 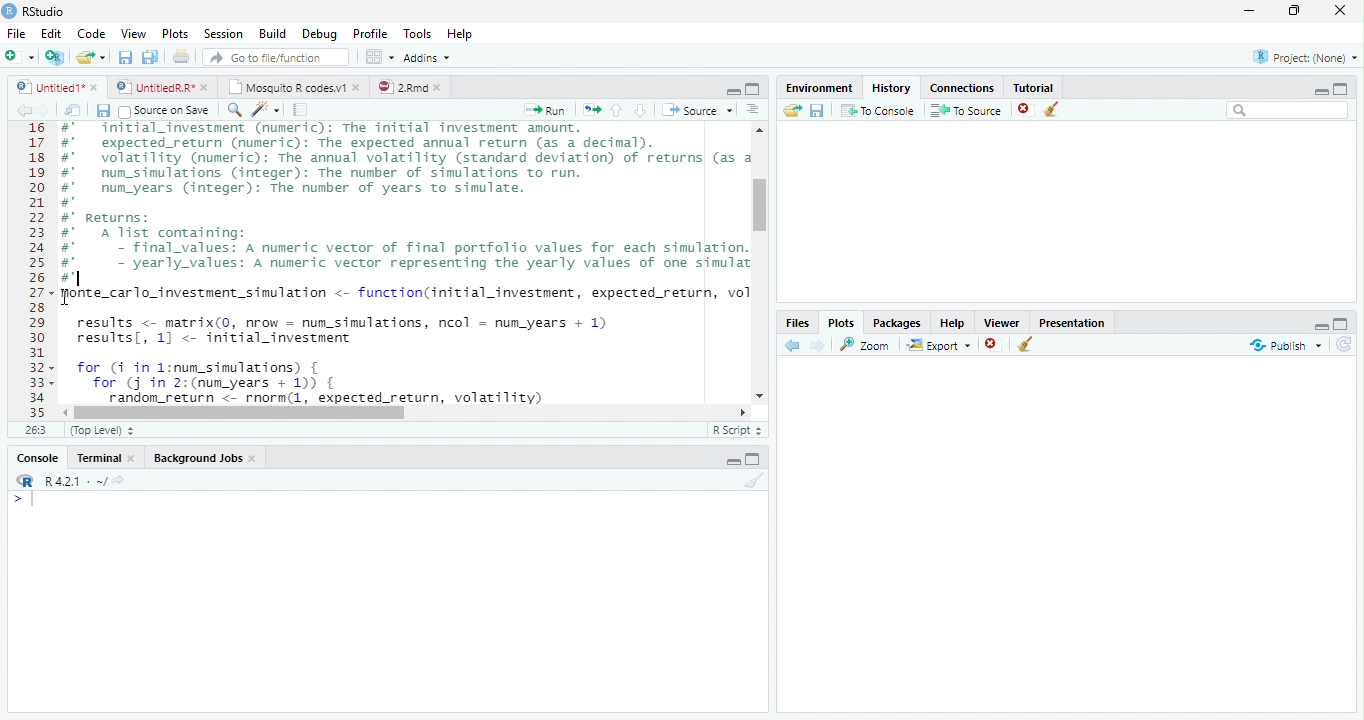 I want to click on Tools, so click(x=416, y=34).